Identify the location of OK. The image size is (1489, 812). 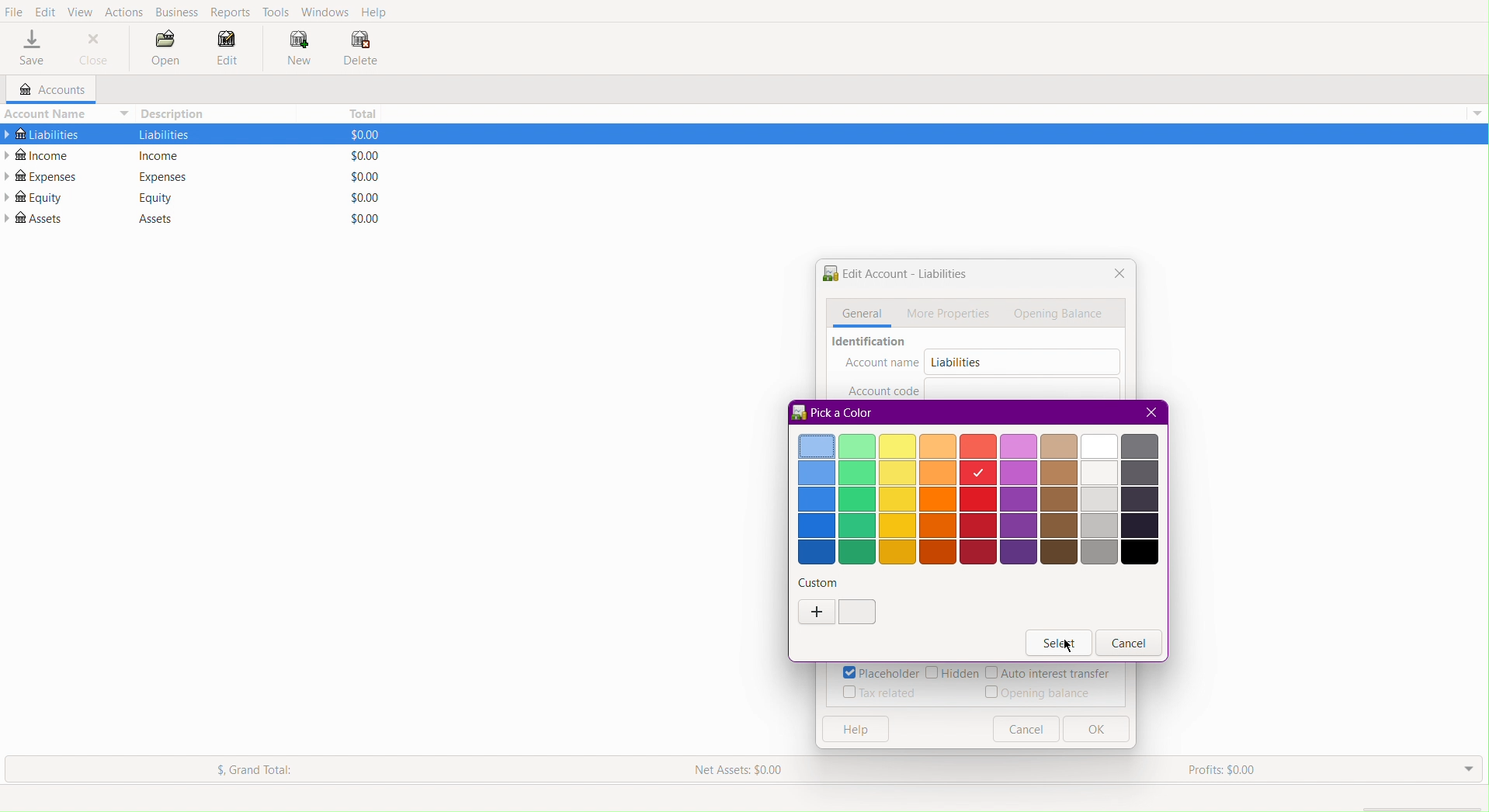
(1095, 730).